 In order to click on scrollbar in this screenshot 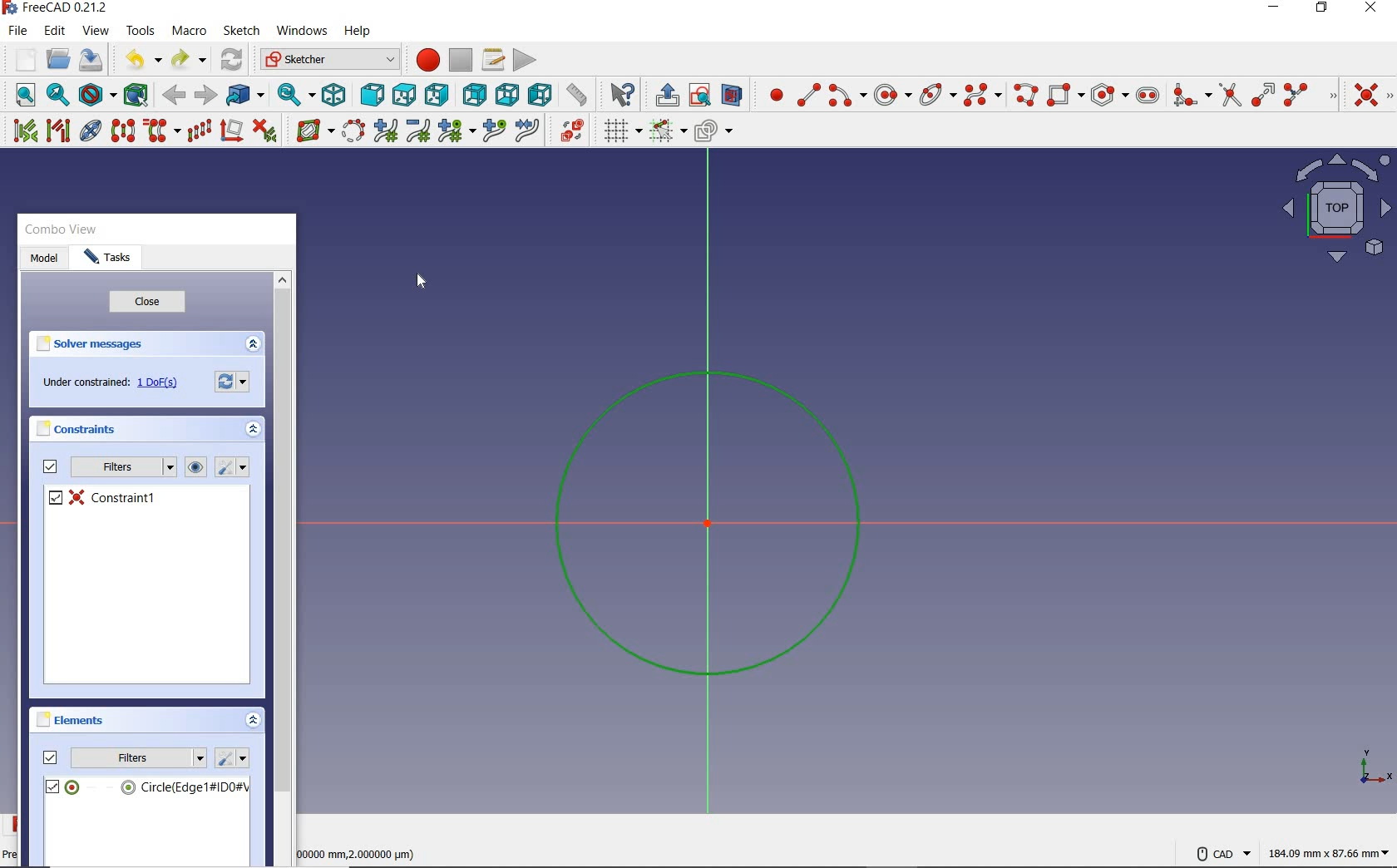, I will do `click(285, 535)`.